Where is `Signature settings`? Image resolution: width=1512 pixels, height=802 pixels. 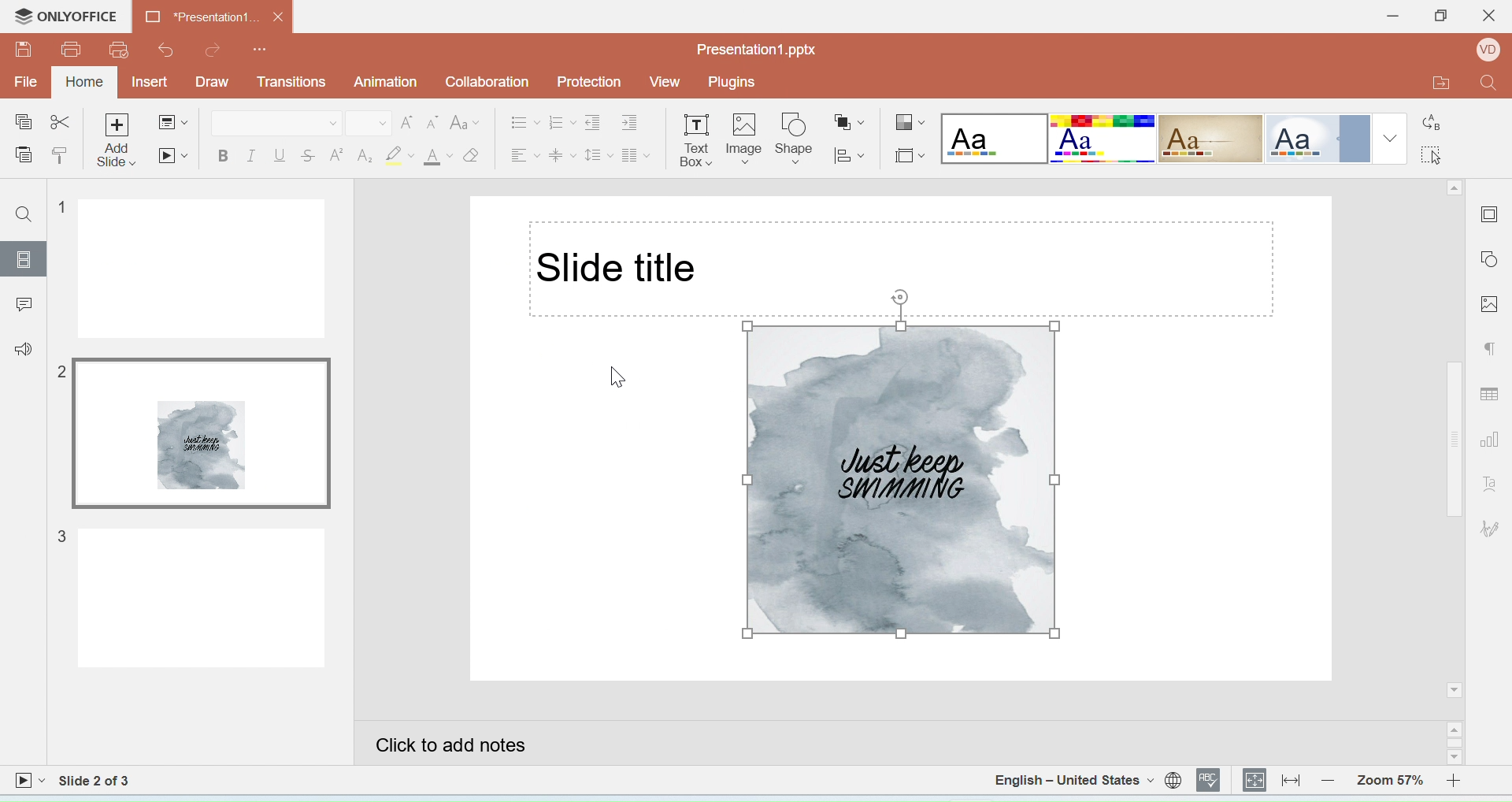 Signature settings is located at coordinates (1492, 528).